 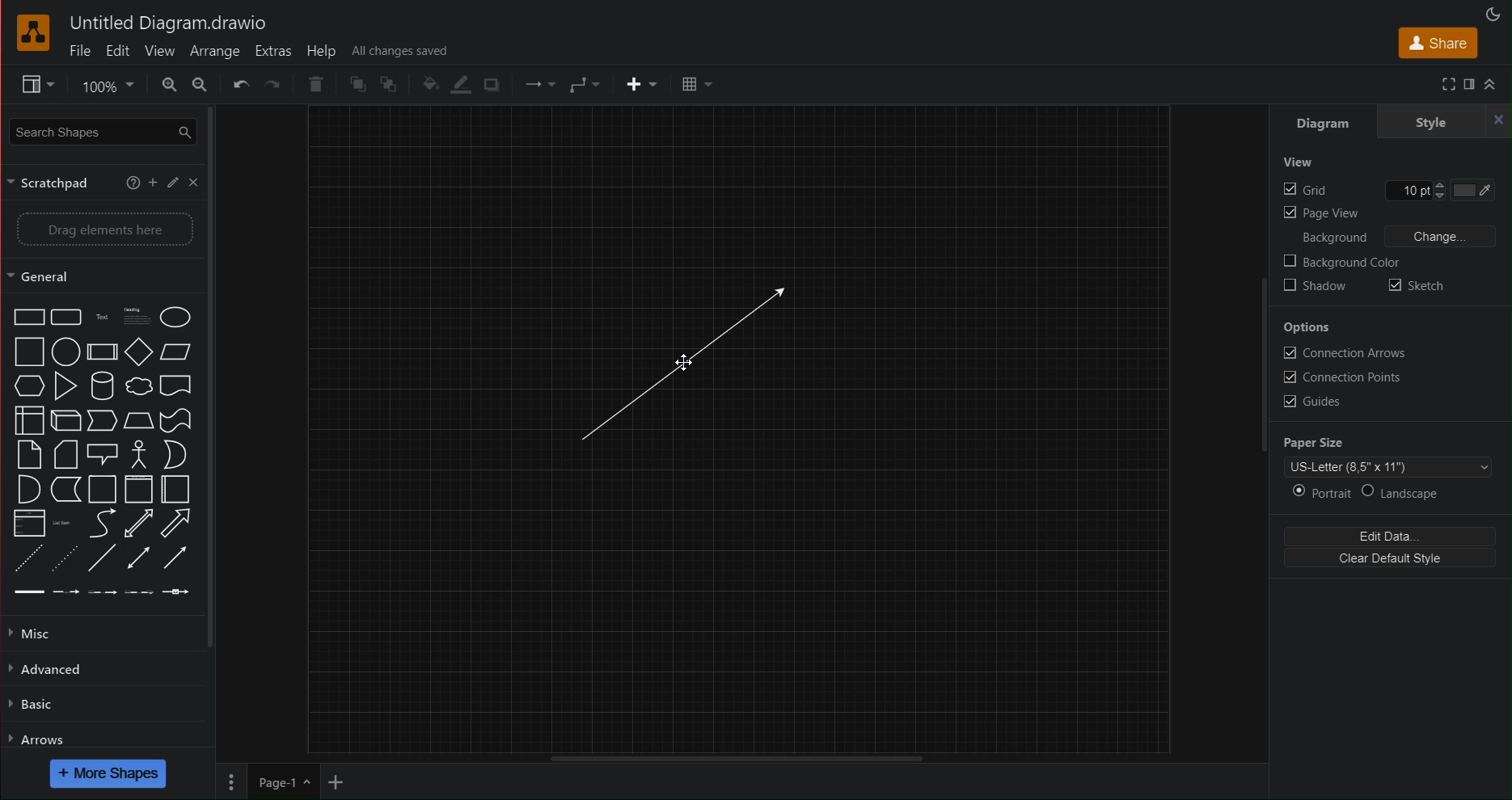 What do you see at coordinates (319, 84) in the screenshot?
I see `Delete` at bounding box center [319, 84].